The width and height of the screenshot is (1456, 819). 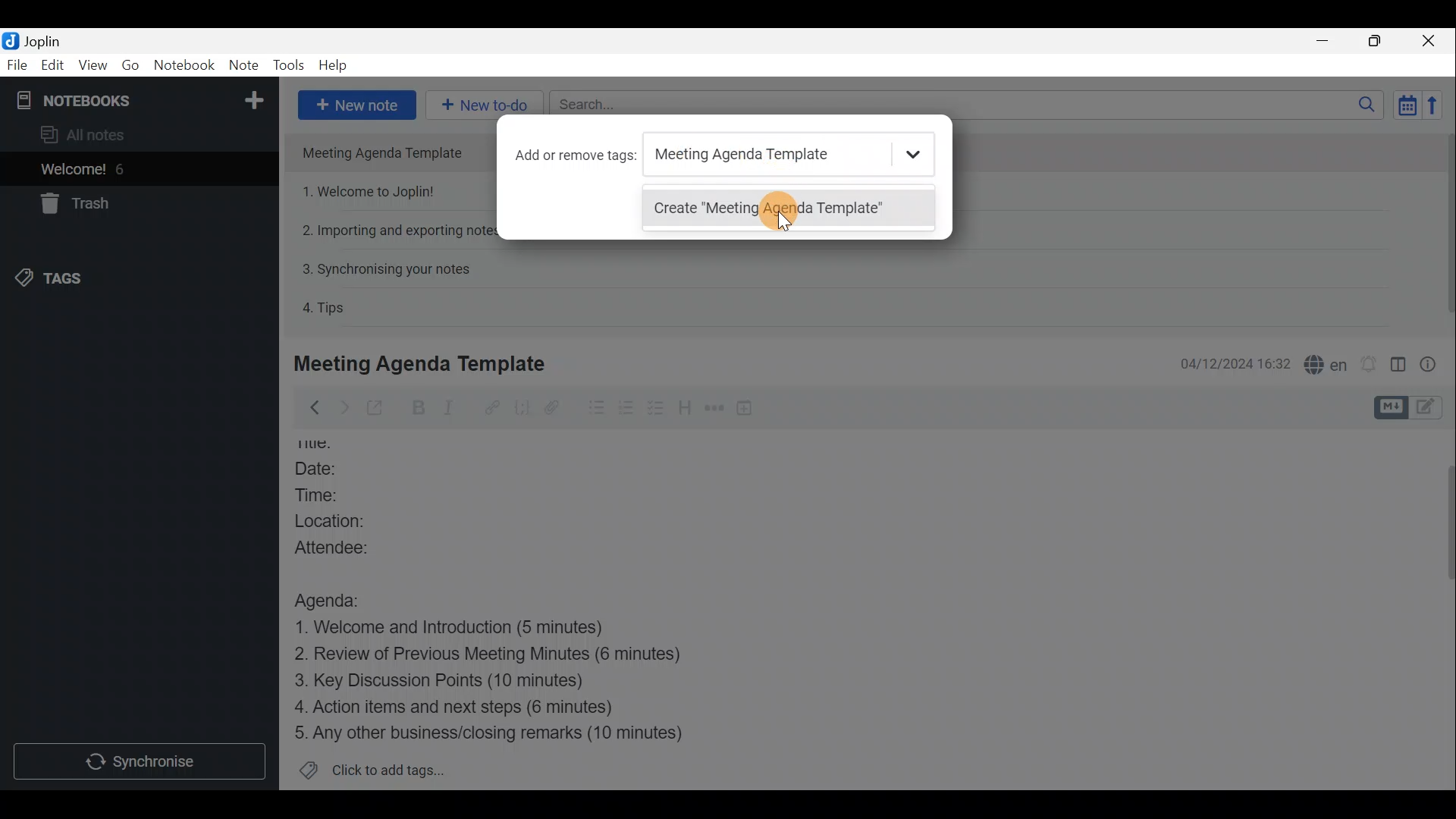 I want to click on Meeting Agenda Template, so click(x=388, y=152).